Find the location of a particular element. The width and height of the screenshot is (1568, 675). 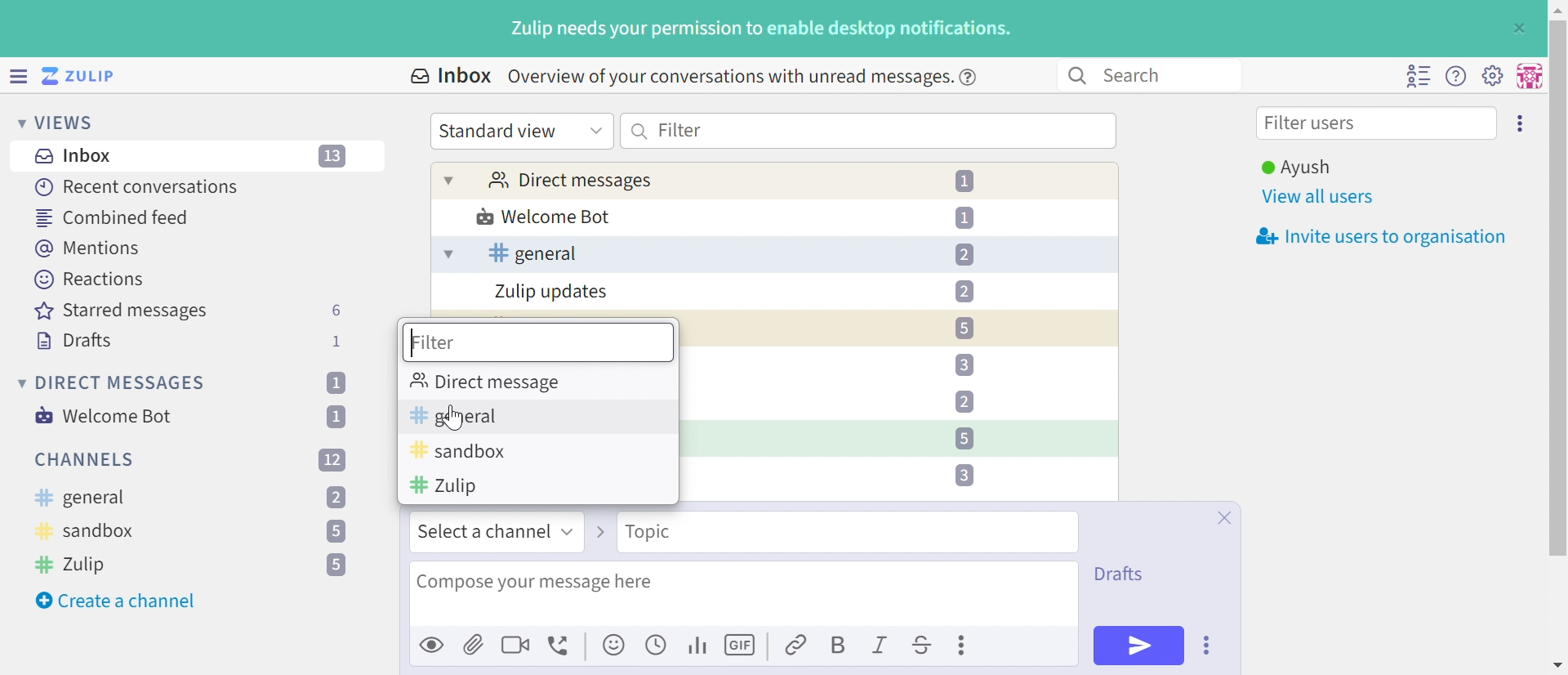

Add emoji is located at coordinates (615, 646).